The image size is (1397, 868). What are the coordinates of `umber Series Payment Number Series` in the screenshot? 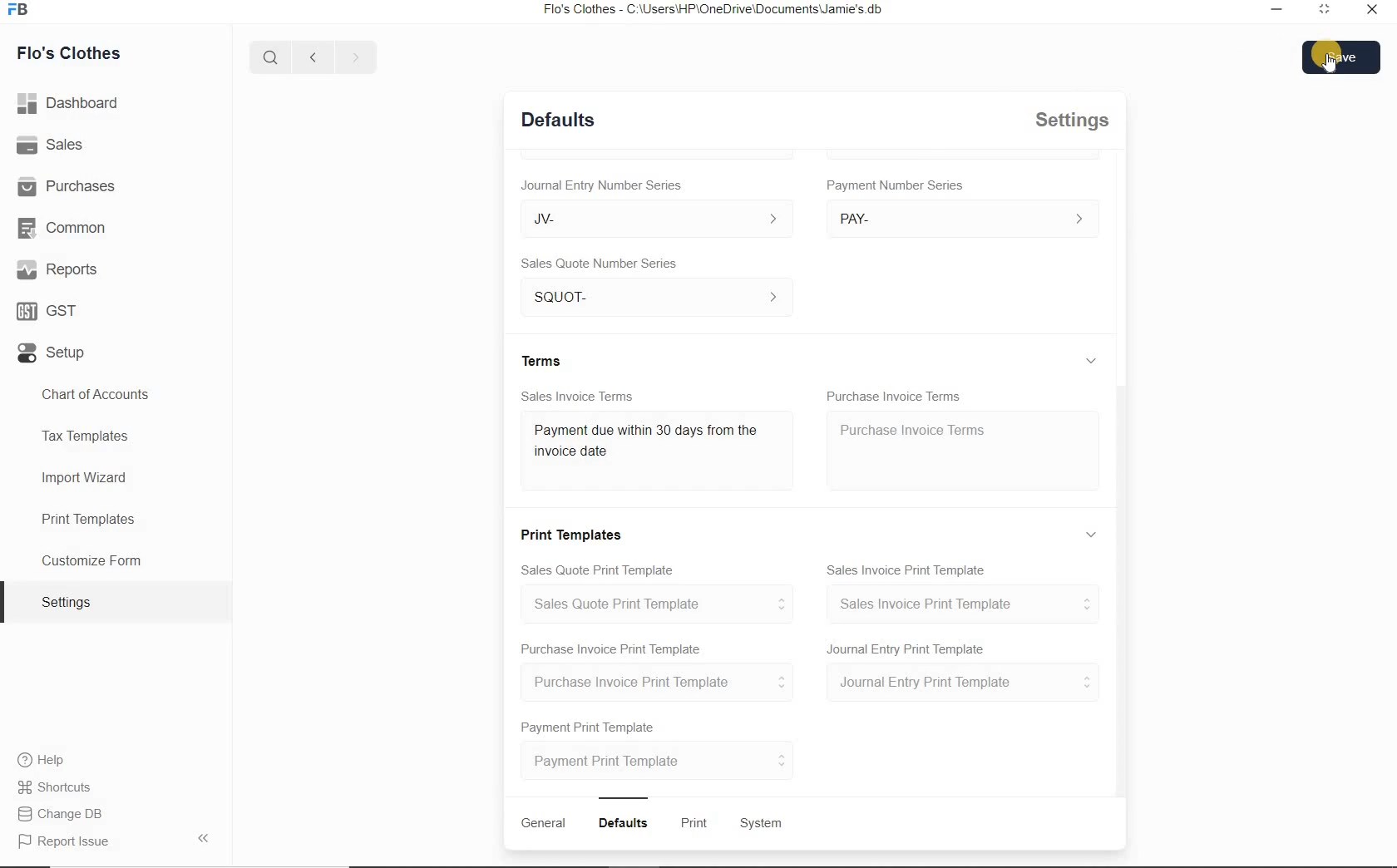 It's located at (897, 185).